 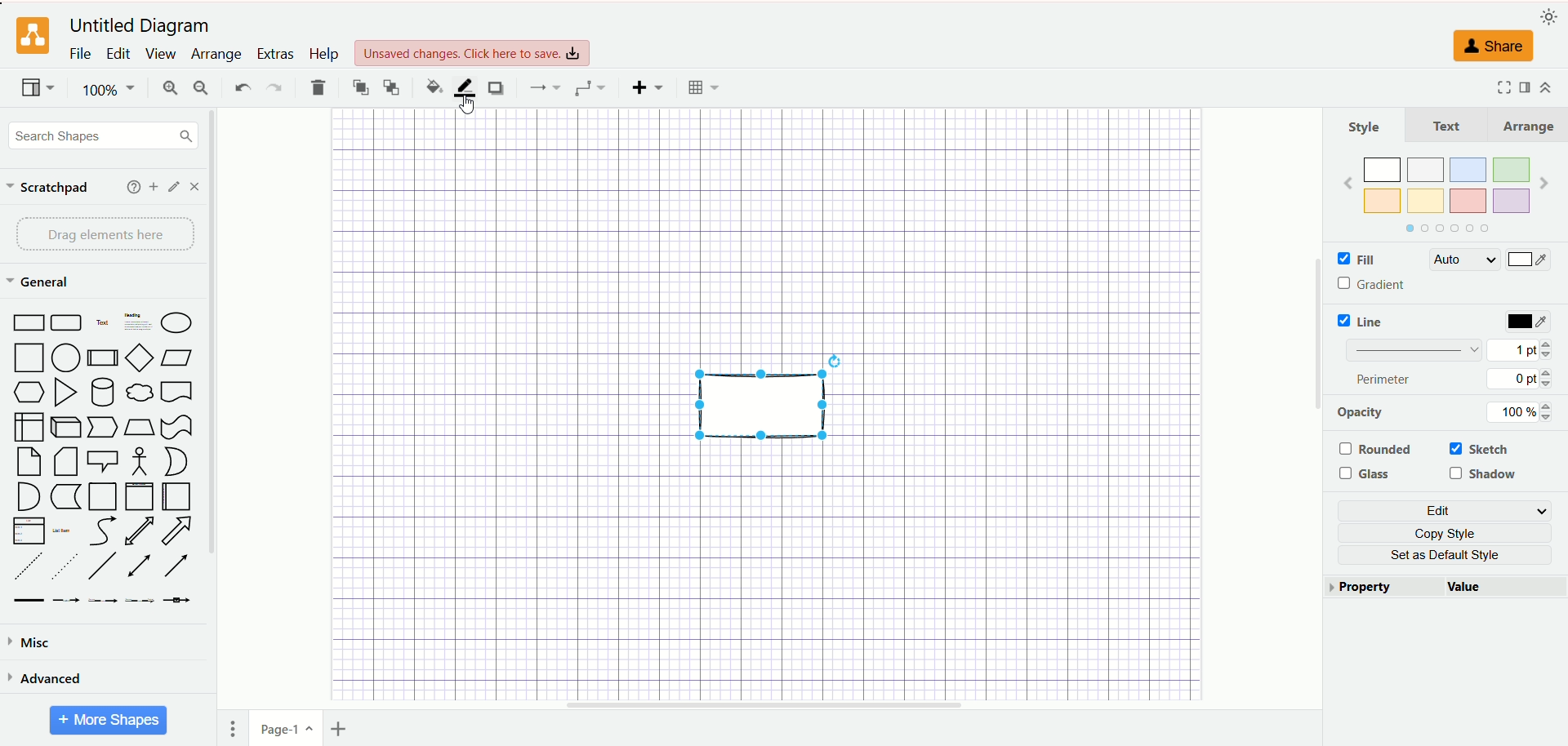 I want to click on 100%, so click(x=1519, y=411).